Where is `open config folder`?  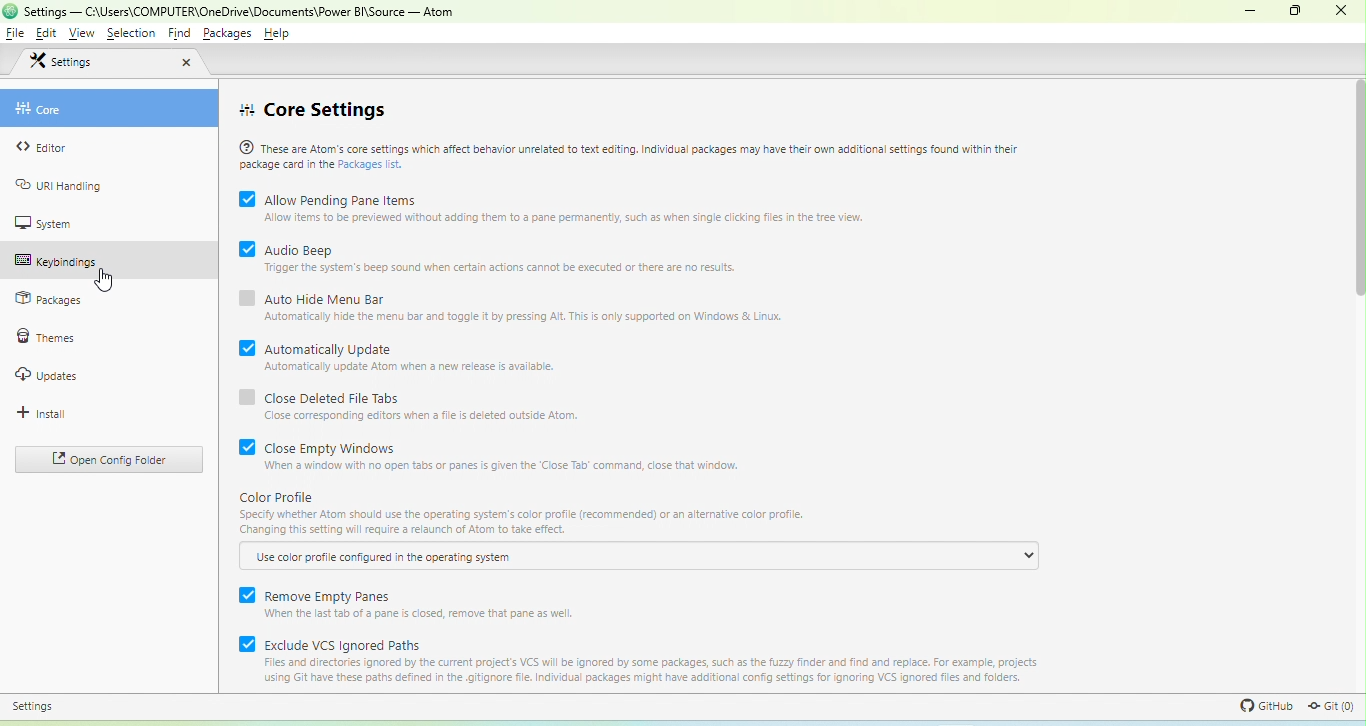 open config folder is located at coordinates (107, 459).